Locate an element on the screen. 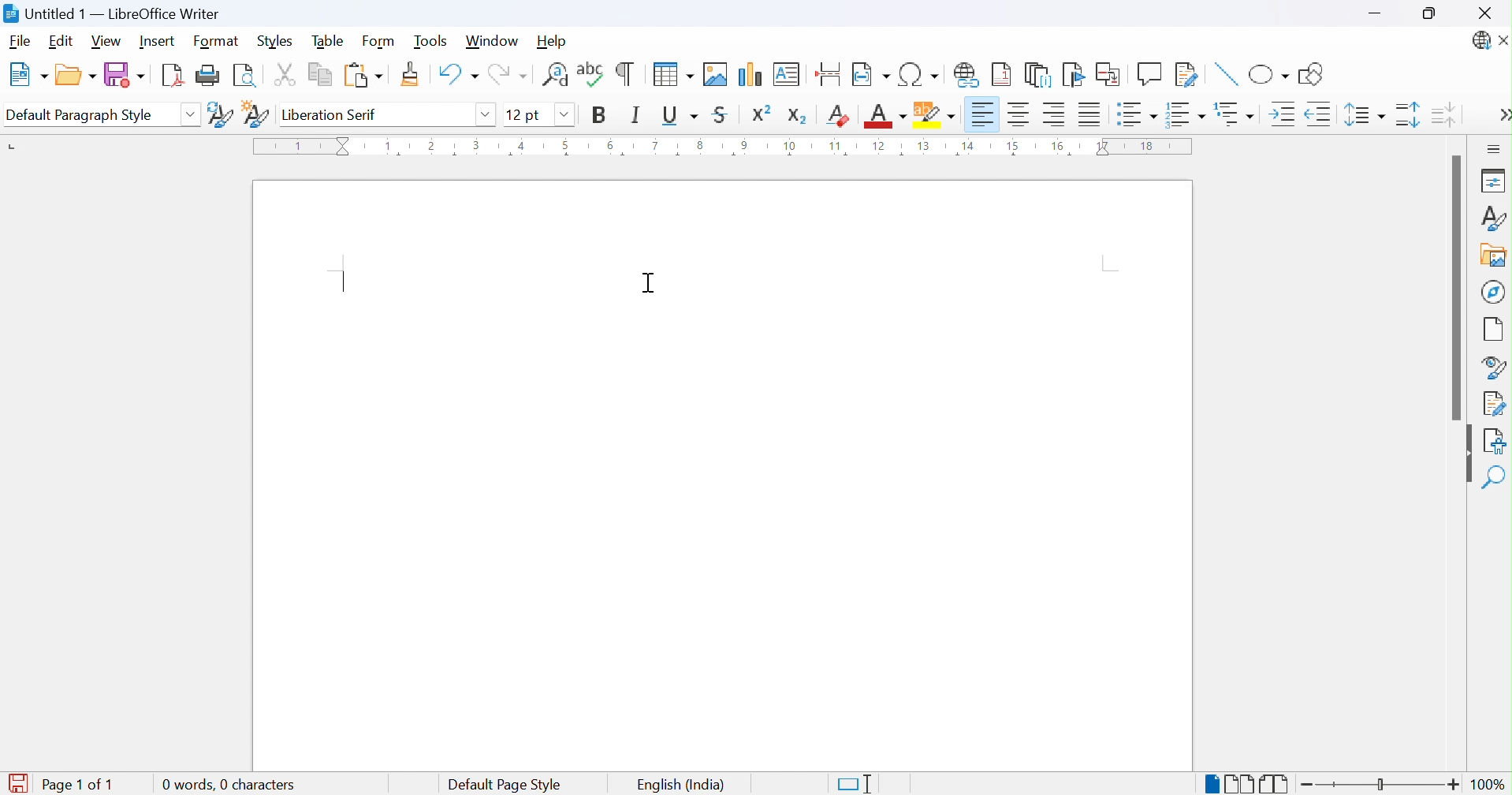  Align center is located at coordinates (1020, 117).